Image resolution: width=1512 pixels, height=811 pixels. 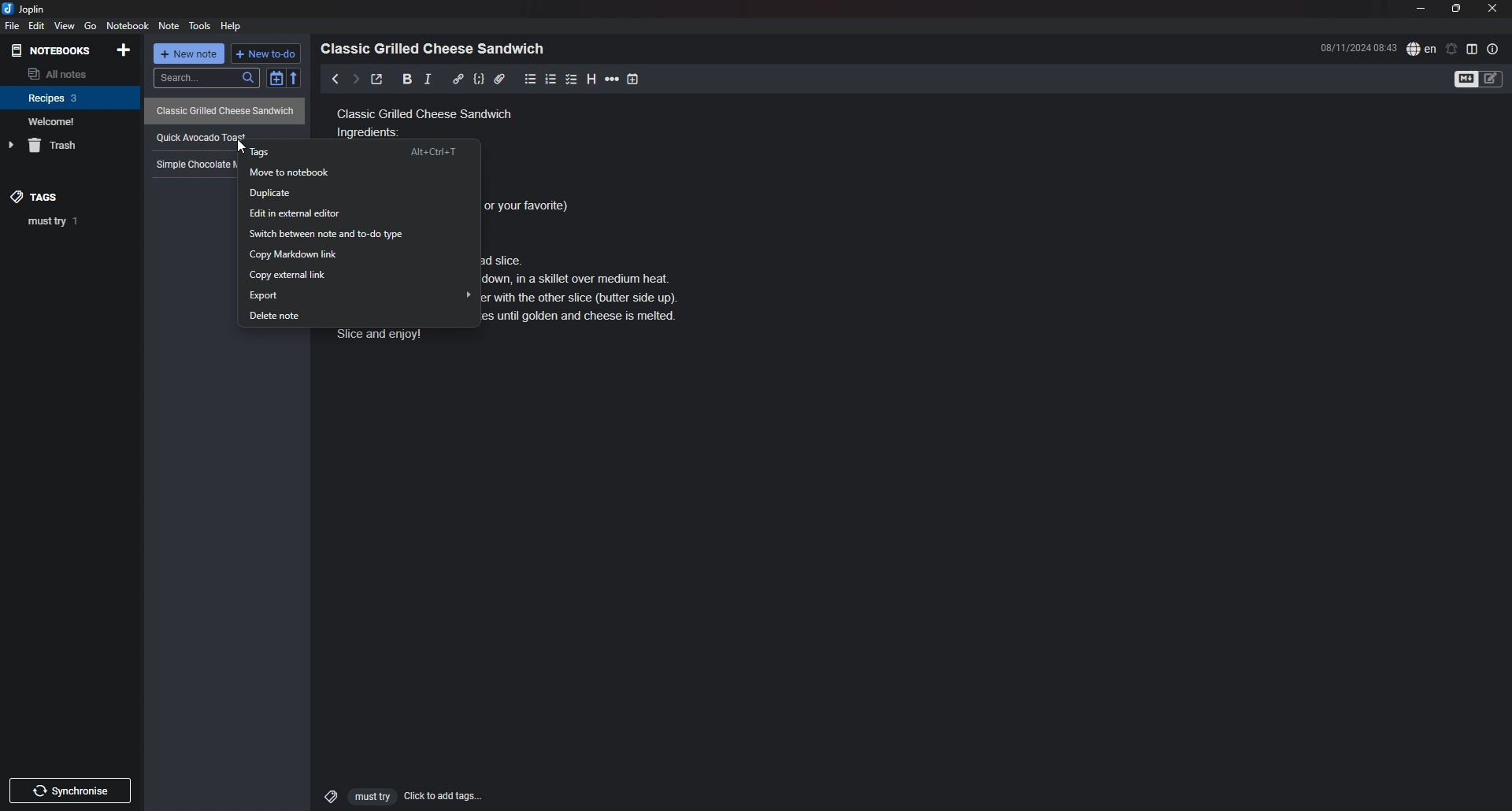 I want to click on view, so click(x=64, y=26).